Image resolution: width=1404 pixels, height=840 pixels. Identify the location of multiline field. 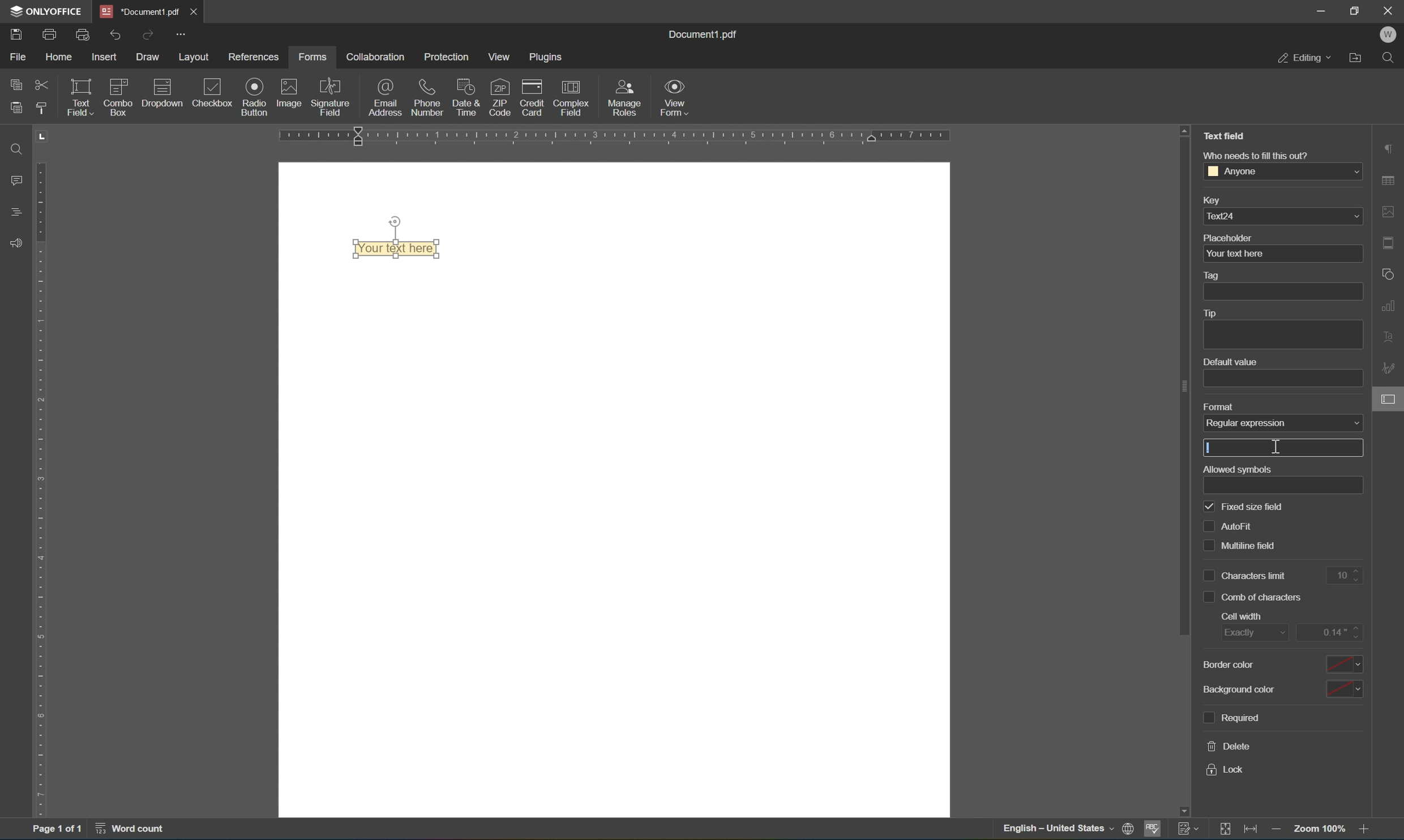
(1241, 547).